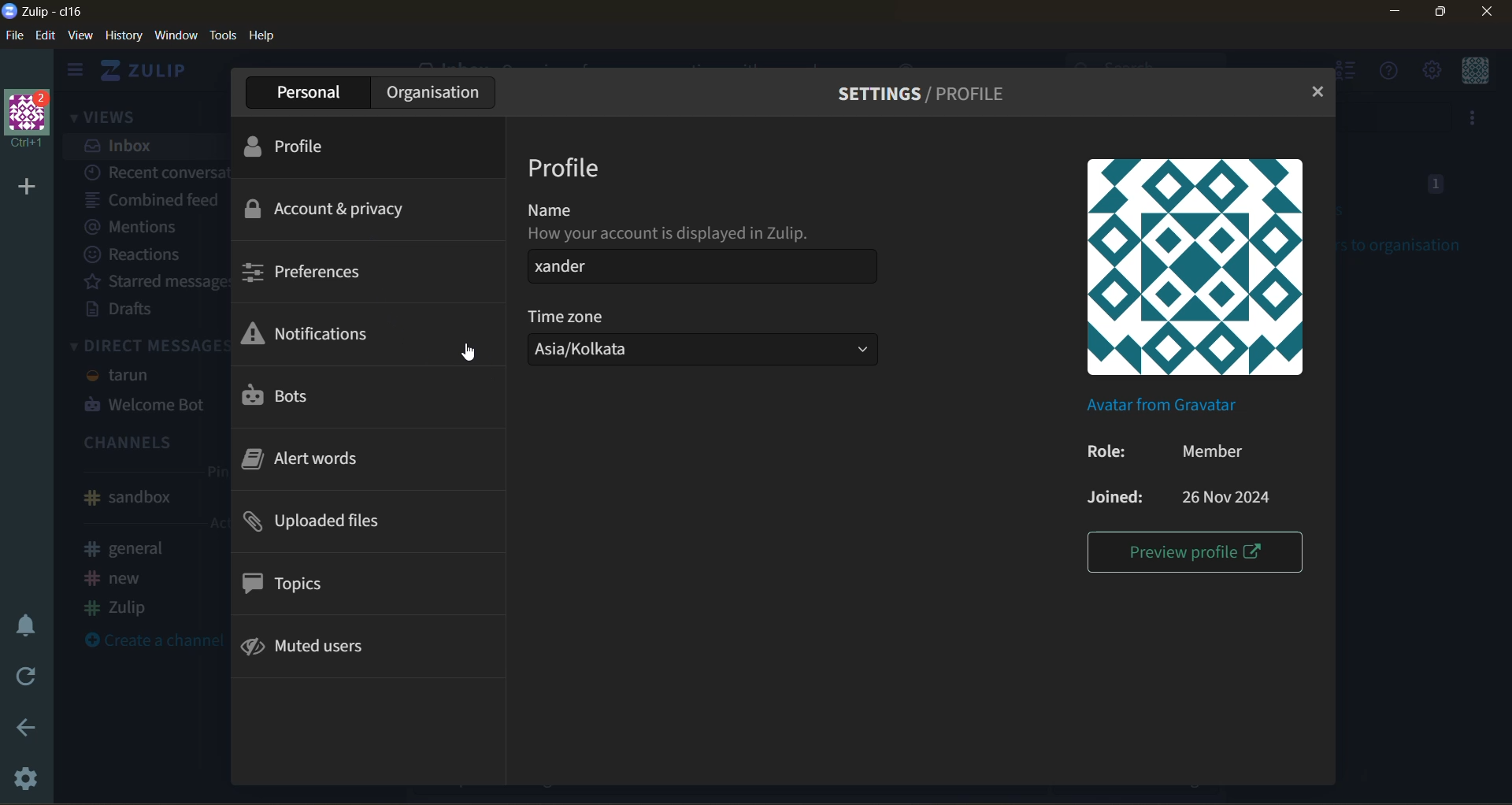 The height and width of the screenshot is (805, 1512). Describe the element at coordinates (1193, 499) in the screenshot. I see `joined` at that location.